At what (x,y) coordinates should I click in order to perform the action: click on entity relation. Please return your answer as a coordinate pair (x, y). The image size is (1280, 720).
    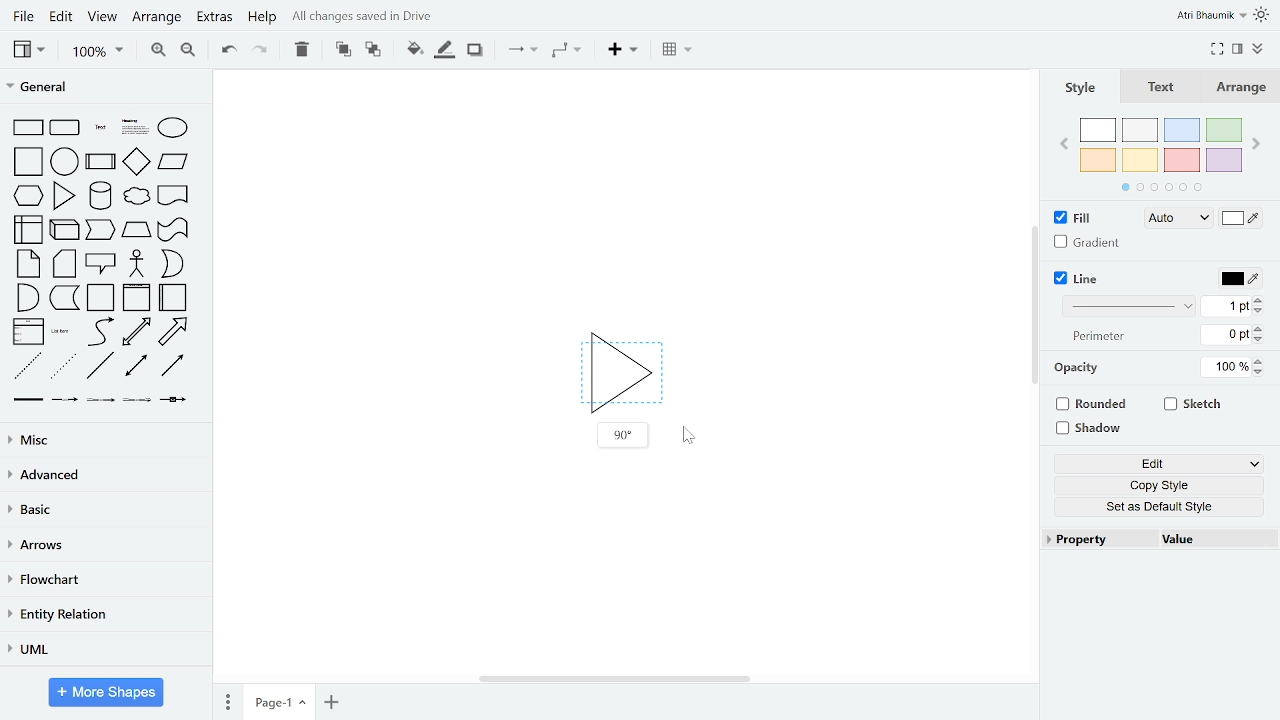
    Looking at the image, I should click on (103, 614).